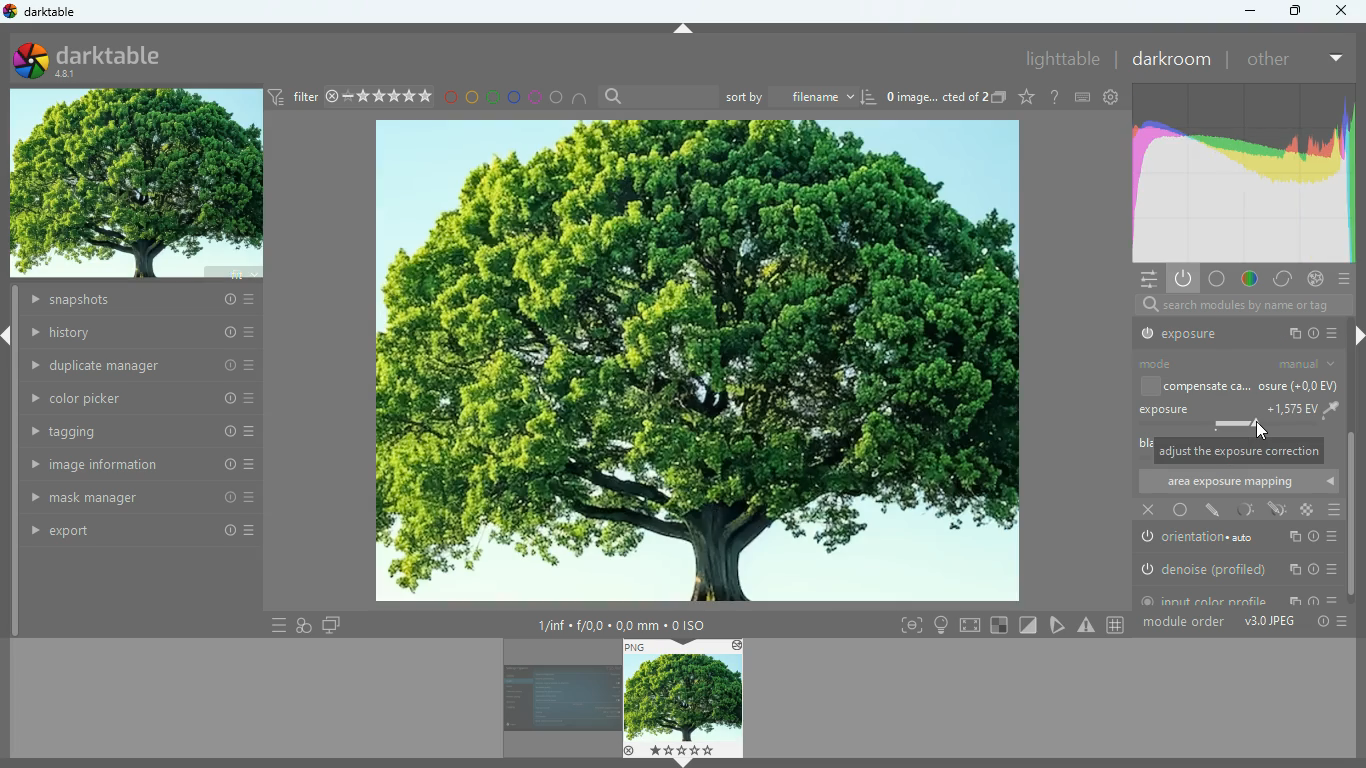 This screenshot has width=1366, height=768. What do you see at coordinates (1284, 278) in the screenshot?
I see `change` at bounding box center [1284, 278].